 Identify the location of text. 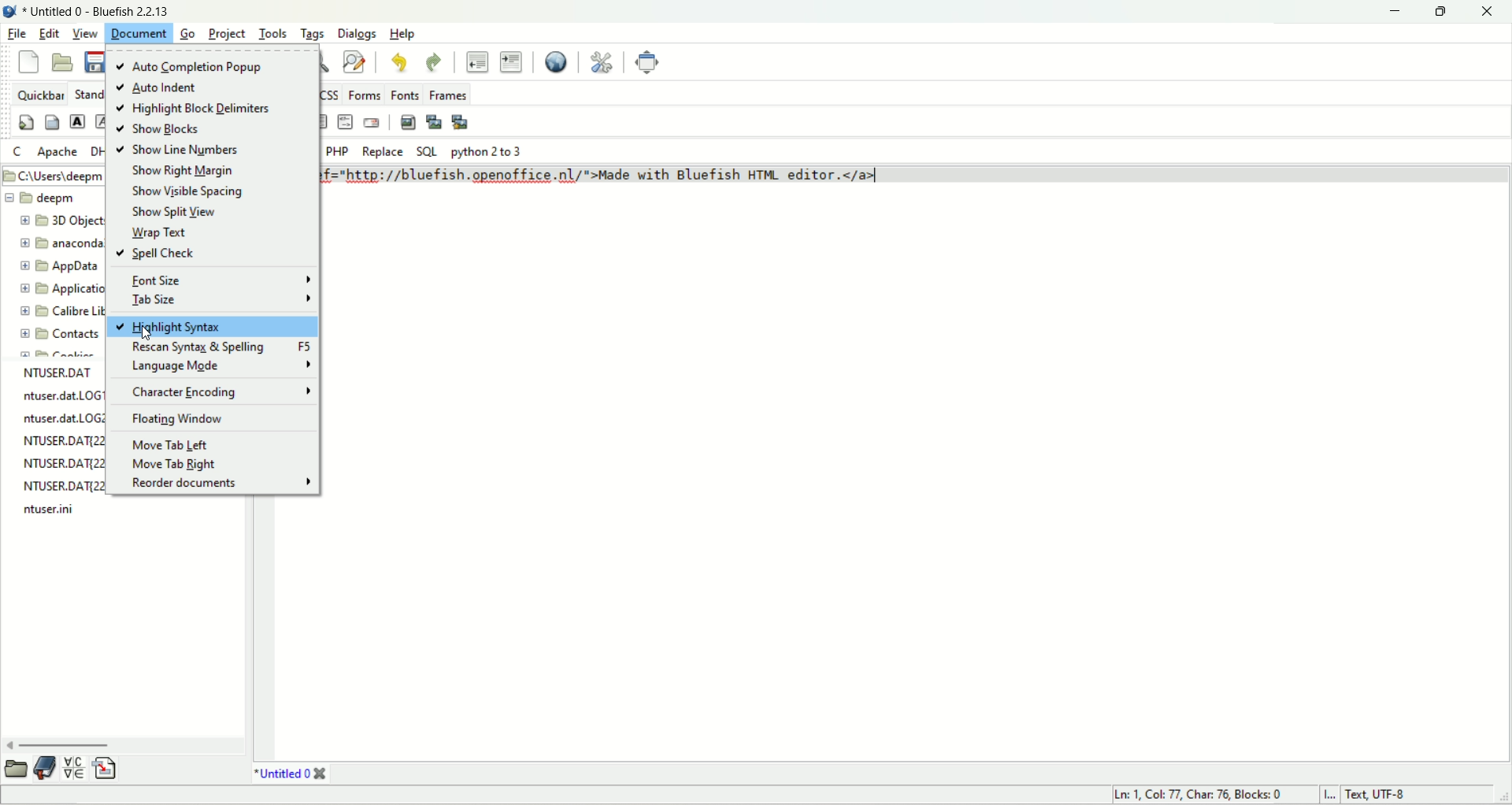
(63, 444).